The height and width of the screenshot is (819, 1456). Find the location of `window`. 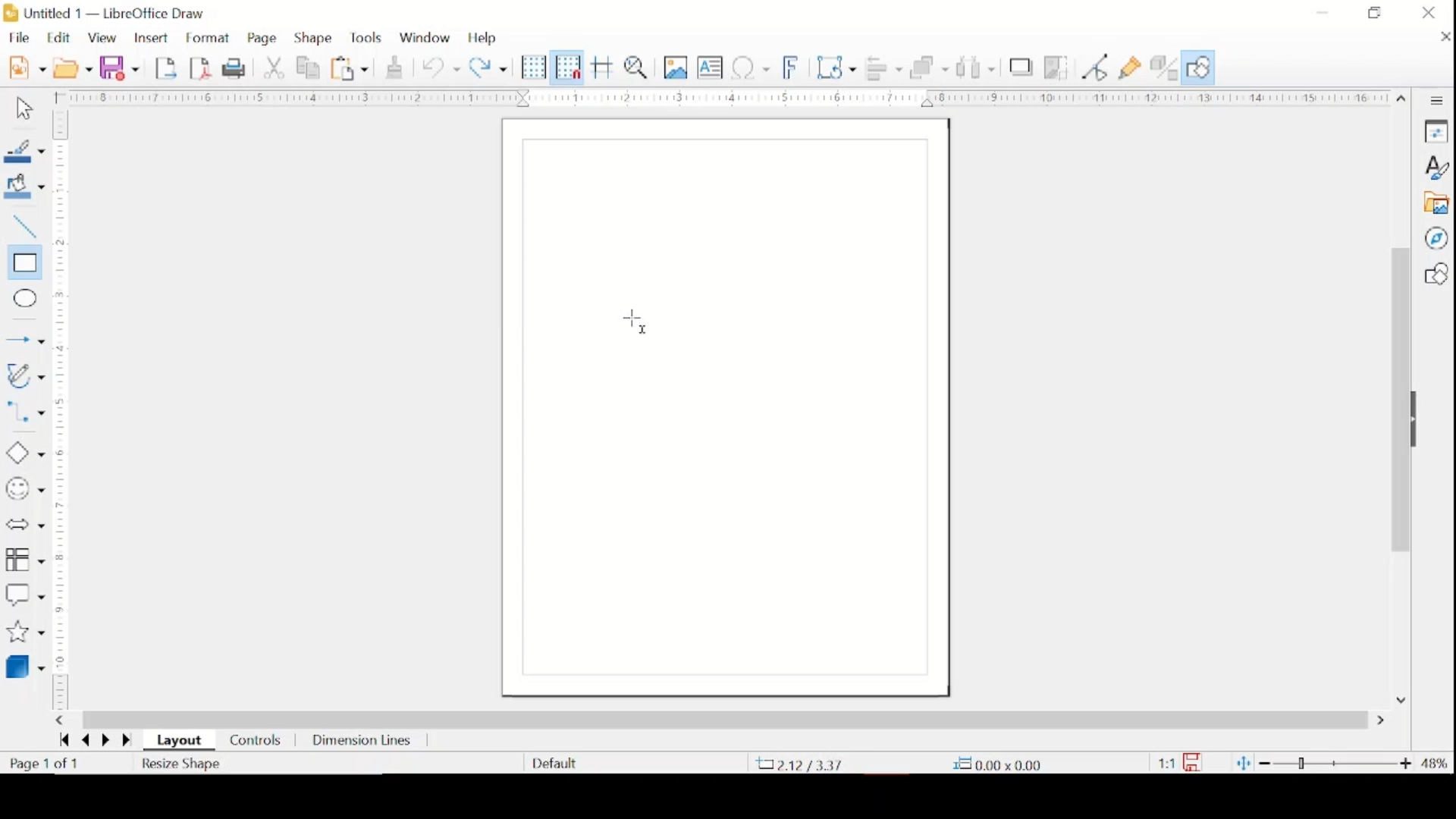

window is located at coordinates (425, 36).